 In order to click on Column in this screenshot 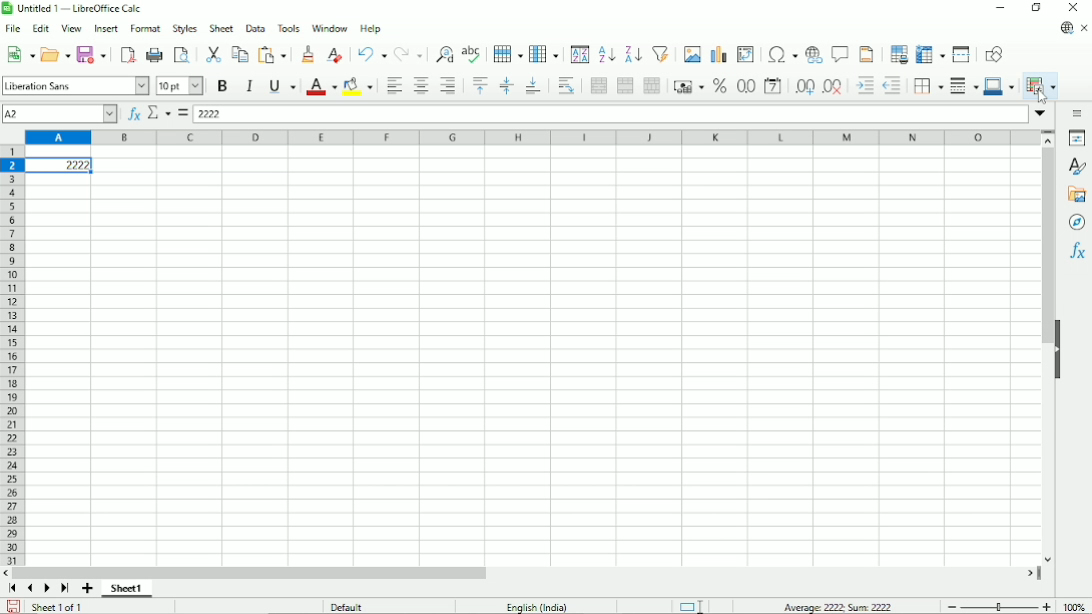, I will do `click(544, 53)`.